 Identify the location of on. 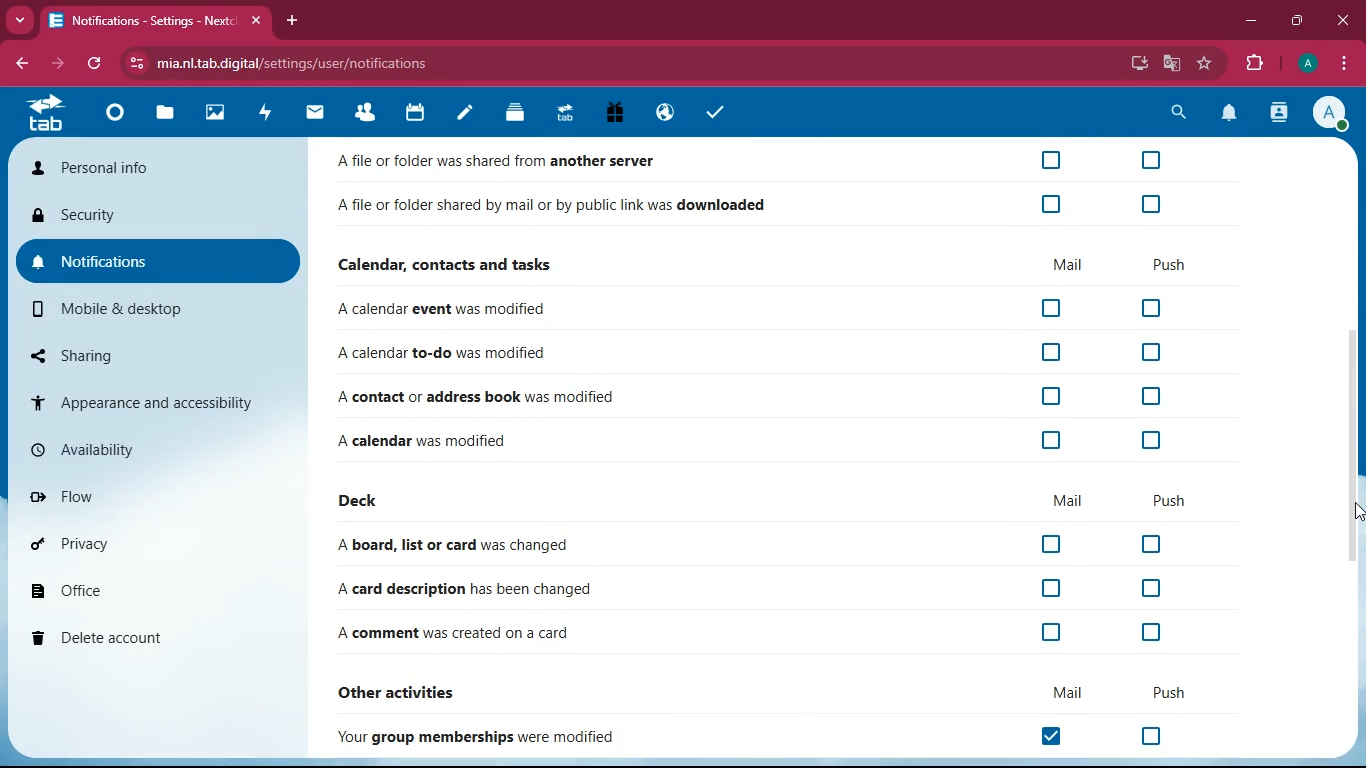
(1058, 737).